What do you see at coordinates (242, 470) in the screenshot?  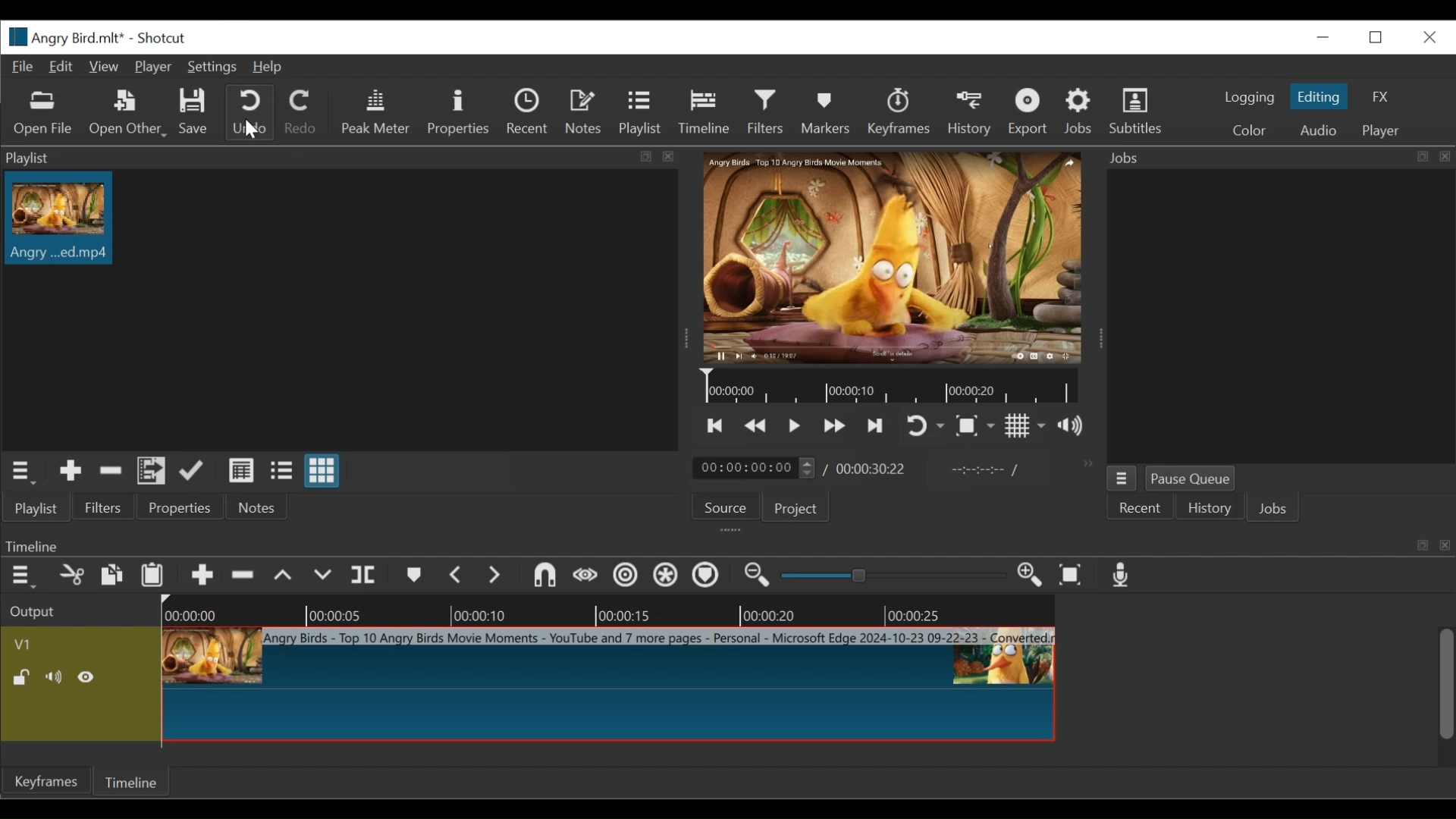 I see `View as details` at bounding box center [242, 470].